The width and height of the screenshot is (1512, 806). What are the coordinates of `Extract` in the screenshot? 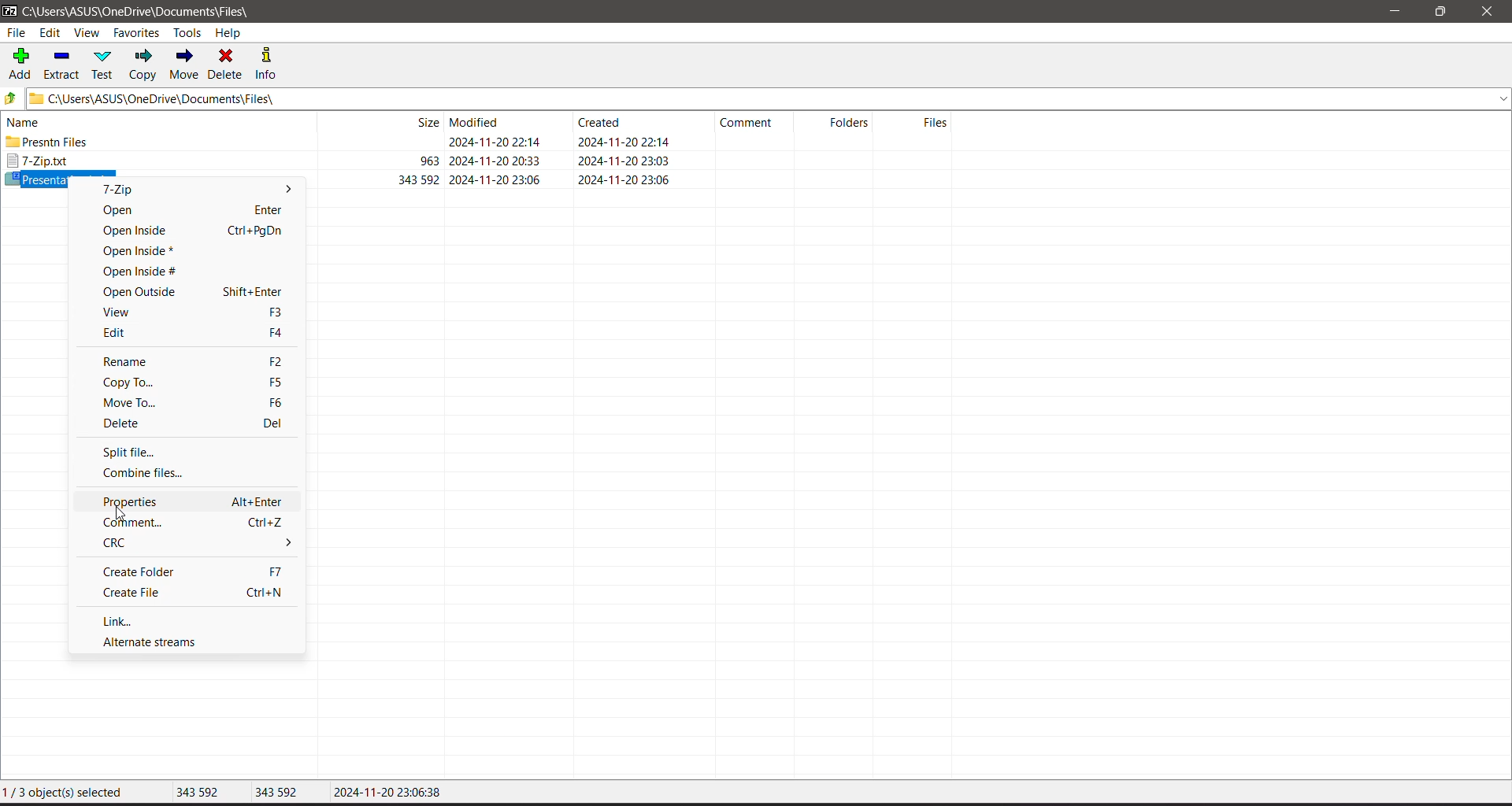 It's located at (62, 63).